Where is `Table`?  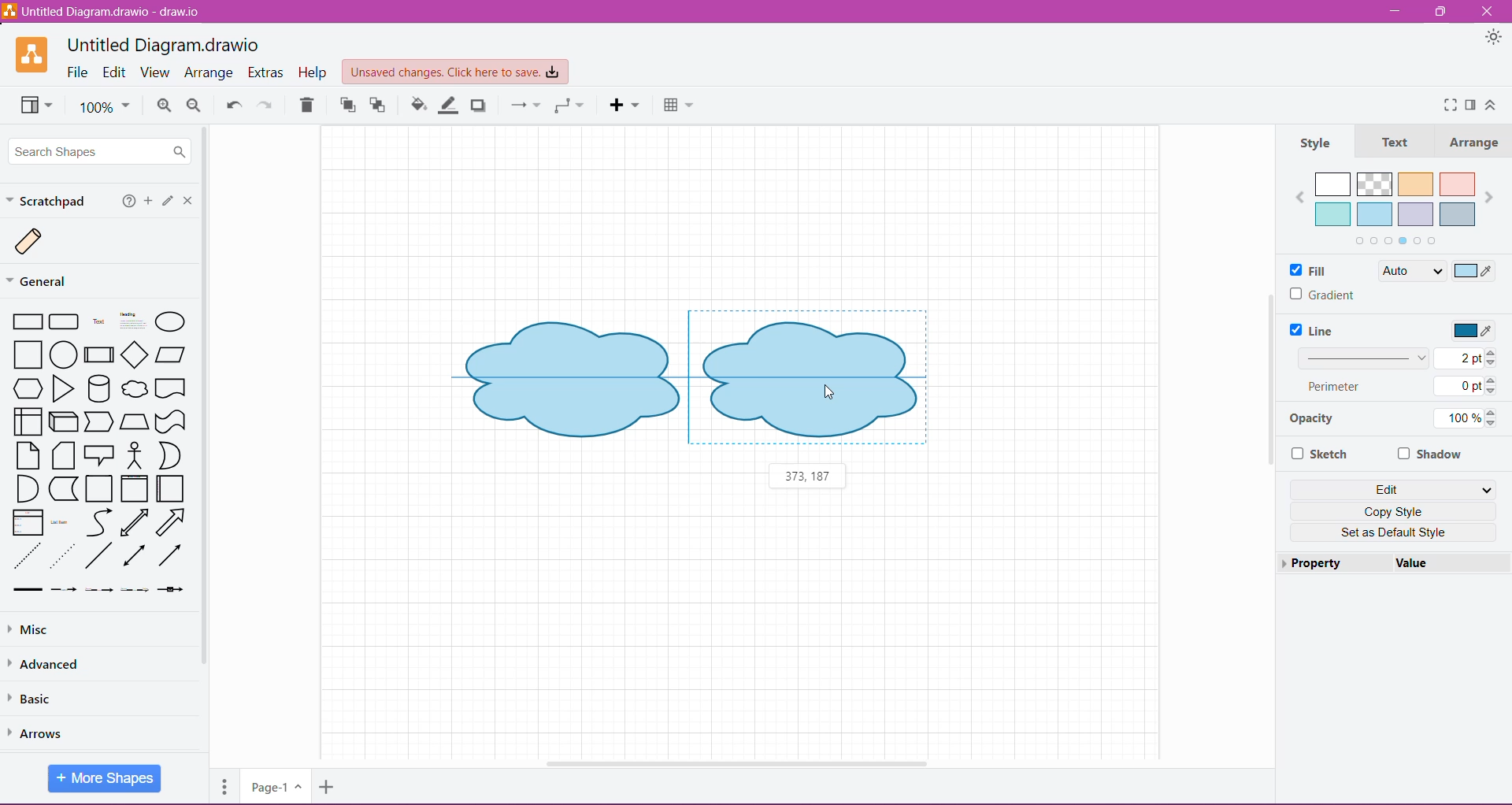 Table is located at coordinates (678, 106).